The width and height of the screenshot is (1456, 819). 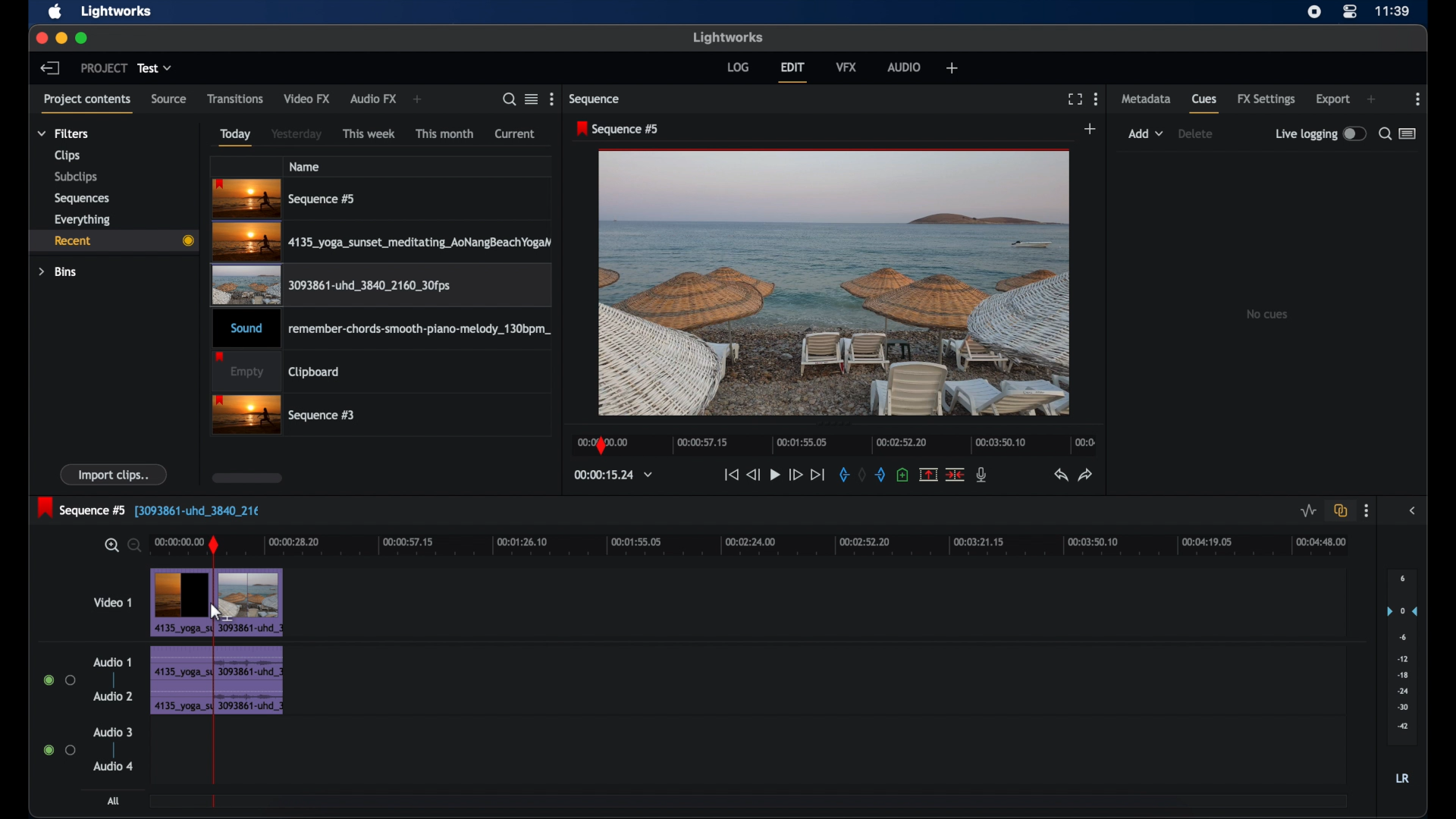 What do you see at coordinates (227, 512) in the screenshot?
I see `track name` at bounding box center [227, 512].